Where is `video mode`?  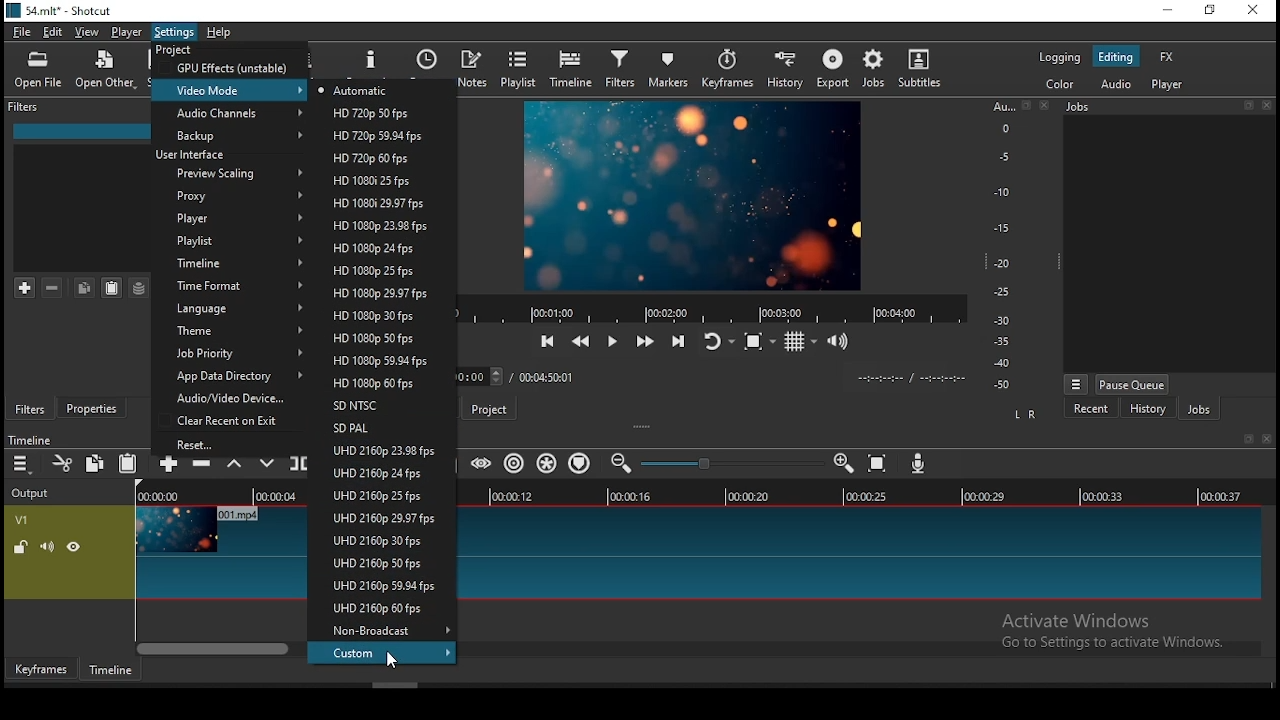 video mode is located at coordinates (231, 89).